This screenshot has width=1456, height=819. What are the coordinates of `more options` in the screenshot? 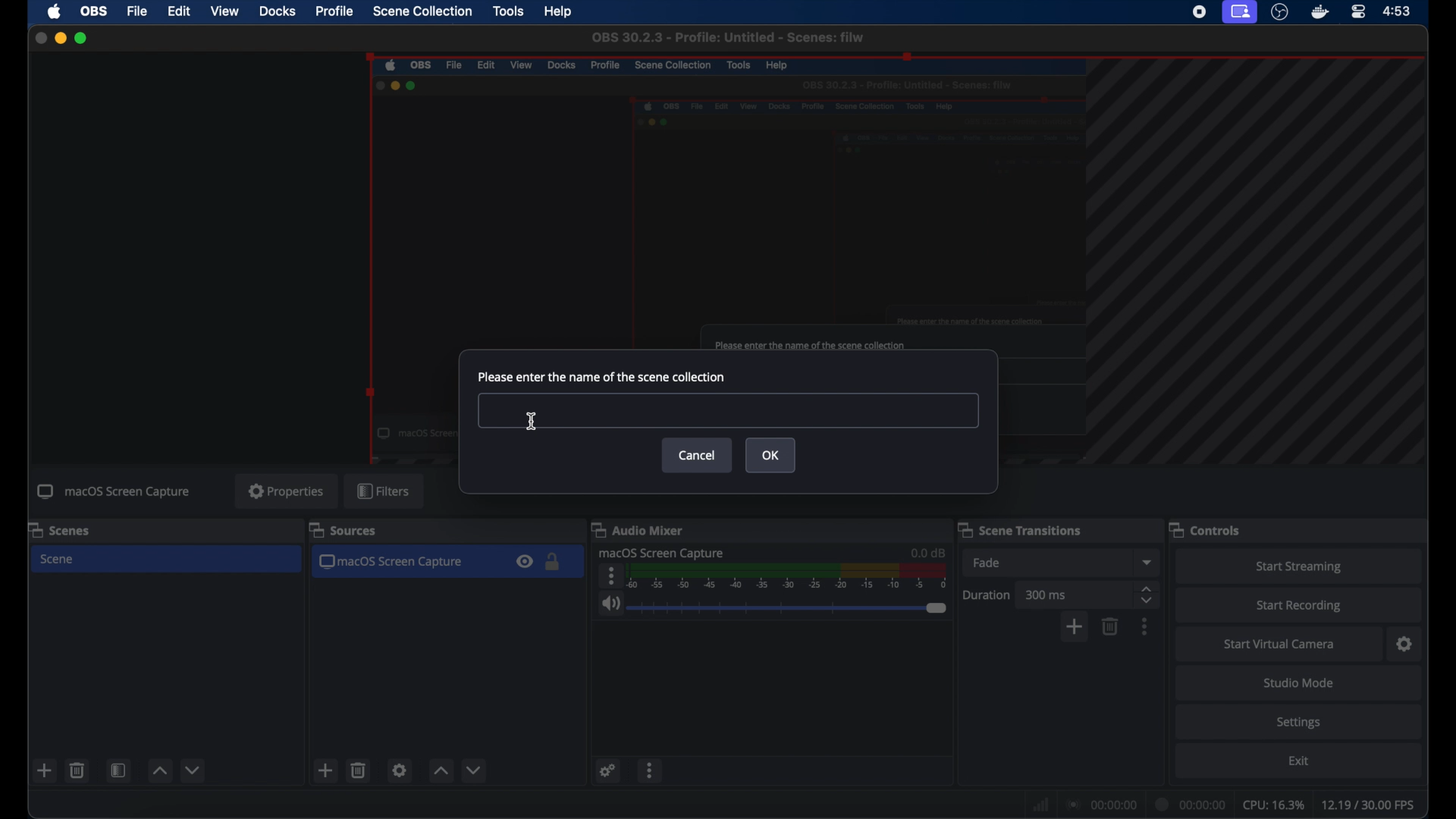 It's located at (650, 773).